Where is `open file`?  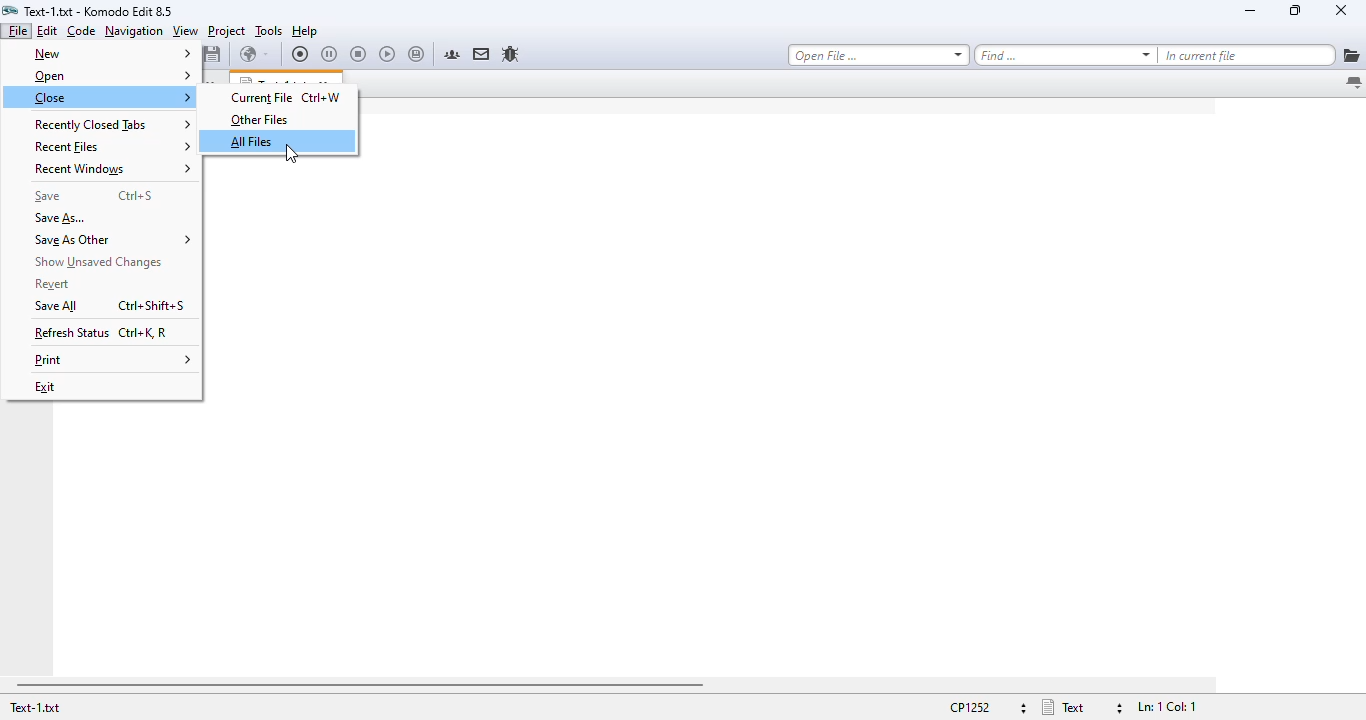
open file is located at coordinates (878, 55).